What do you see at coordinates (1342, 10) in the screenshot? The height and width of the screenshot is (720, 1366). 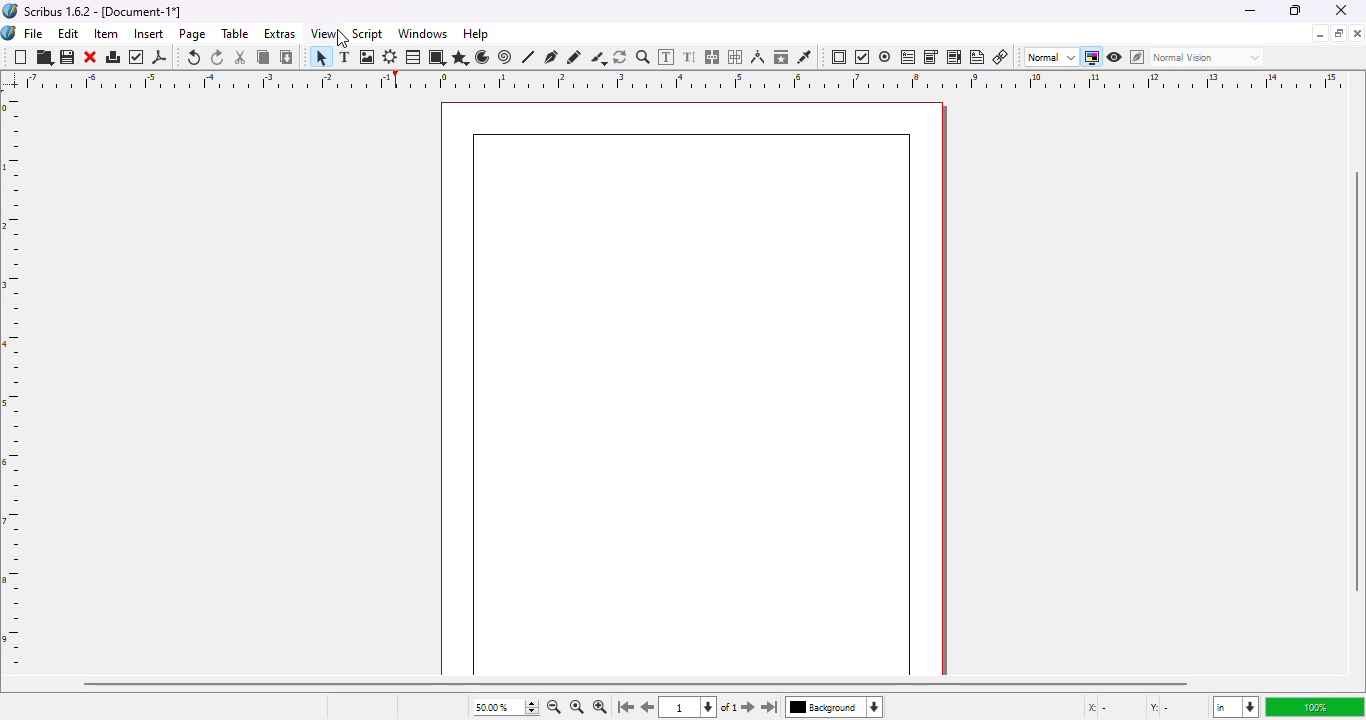 I see `close` at bounding box center [1342, 10].